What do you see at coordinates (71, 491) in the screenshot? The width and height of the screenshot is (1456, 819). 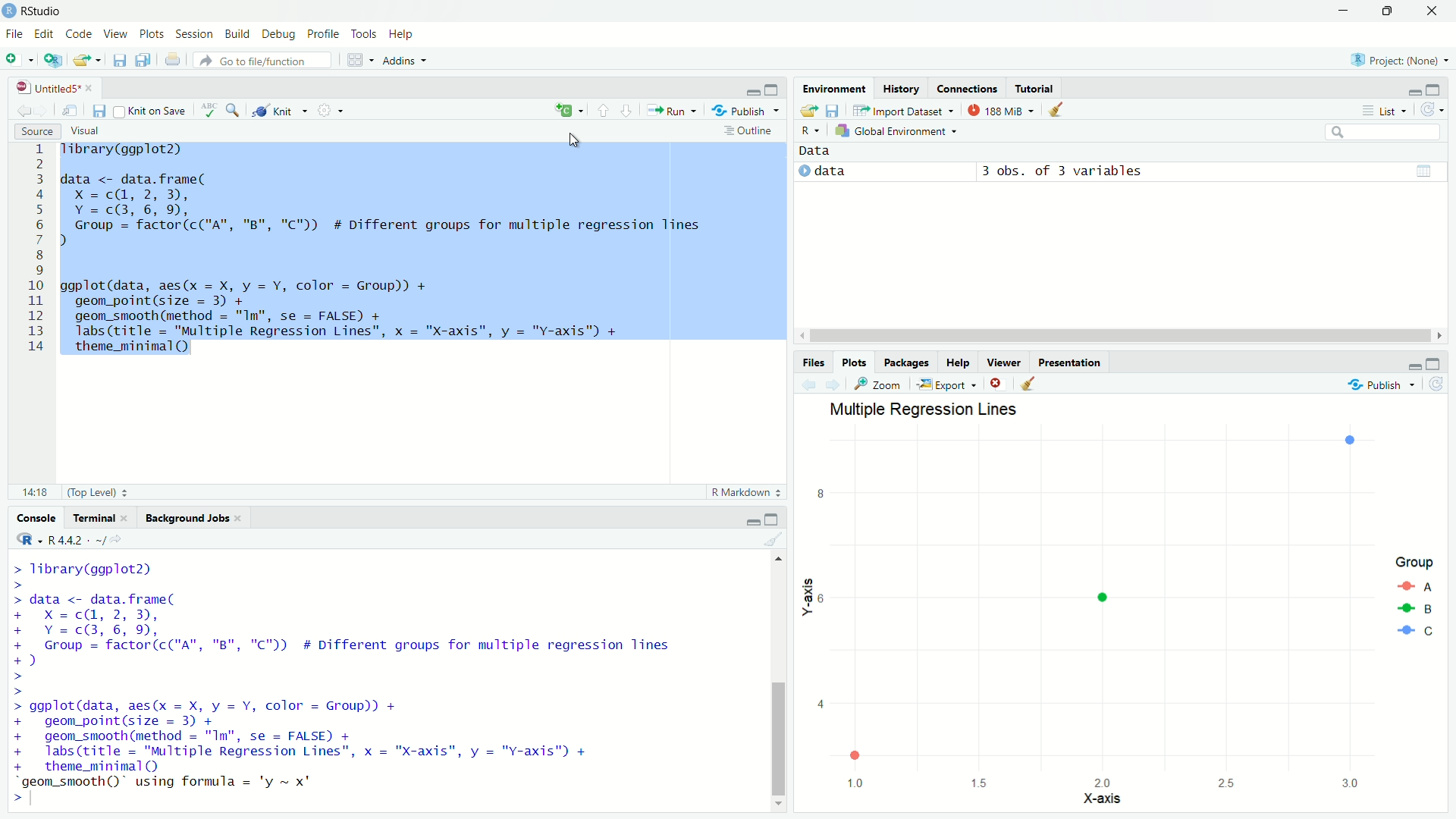 I see `81 (Top Level) :` at bounding box center [71, 491].